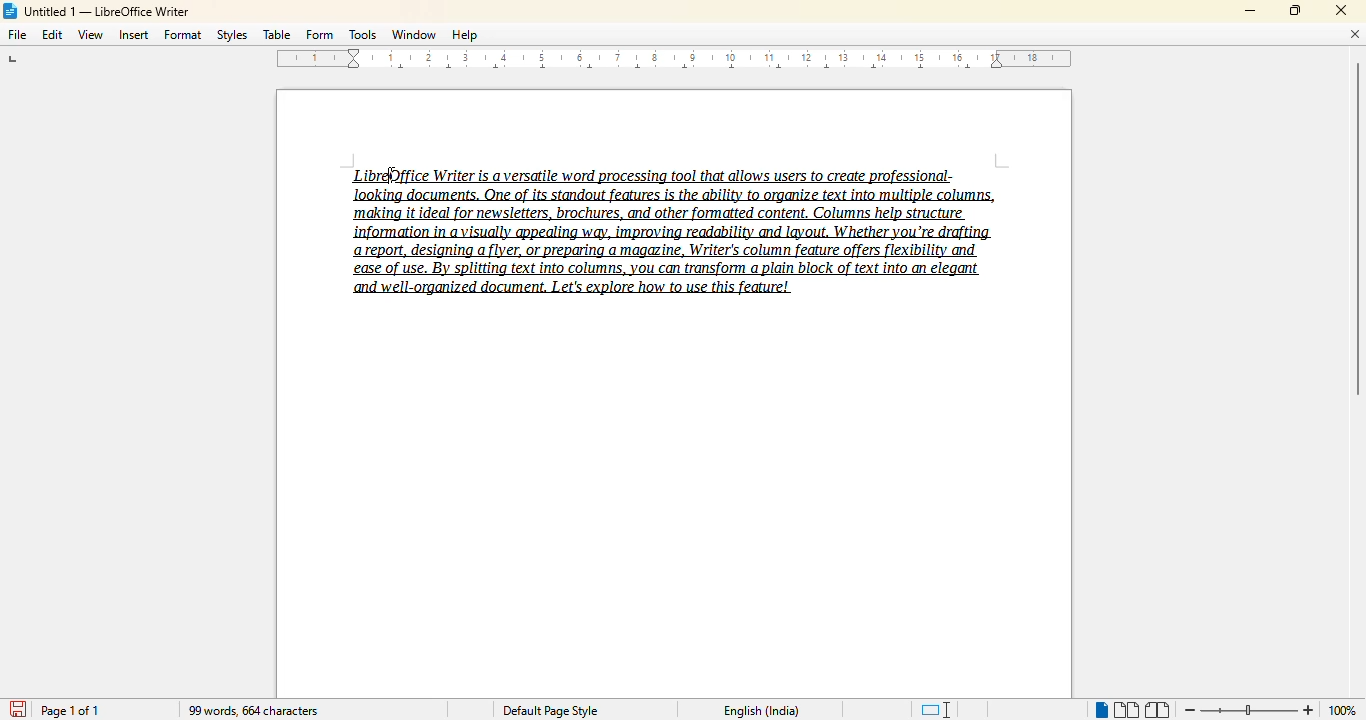  I want to click on single page view, so click(1097, 710).